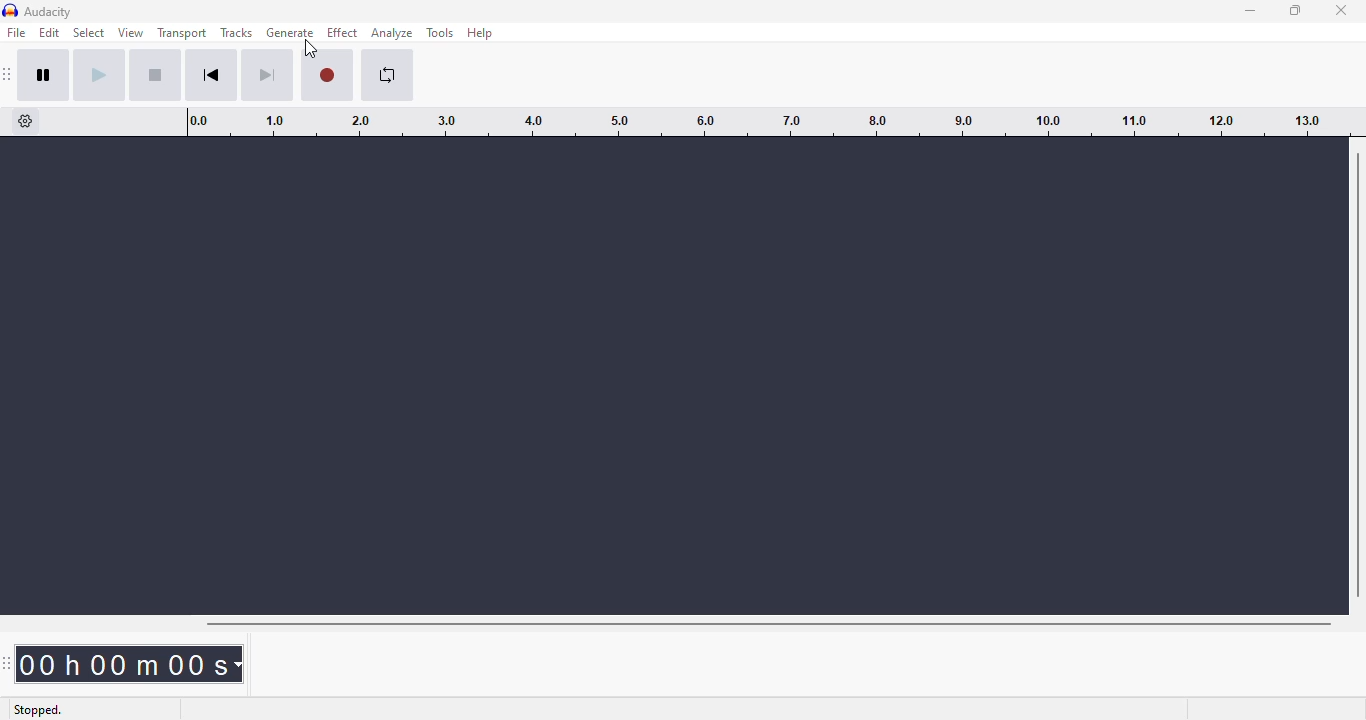 The width and height of the screenshot is (1366, 720). What do you see at coordinates (328, 74) in the screenshot?
I see `record` at bounding box center [328, 74].